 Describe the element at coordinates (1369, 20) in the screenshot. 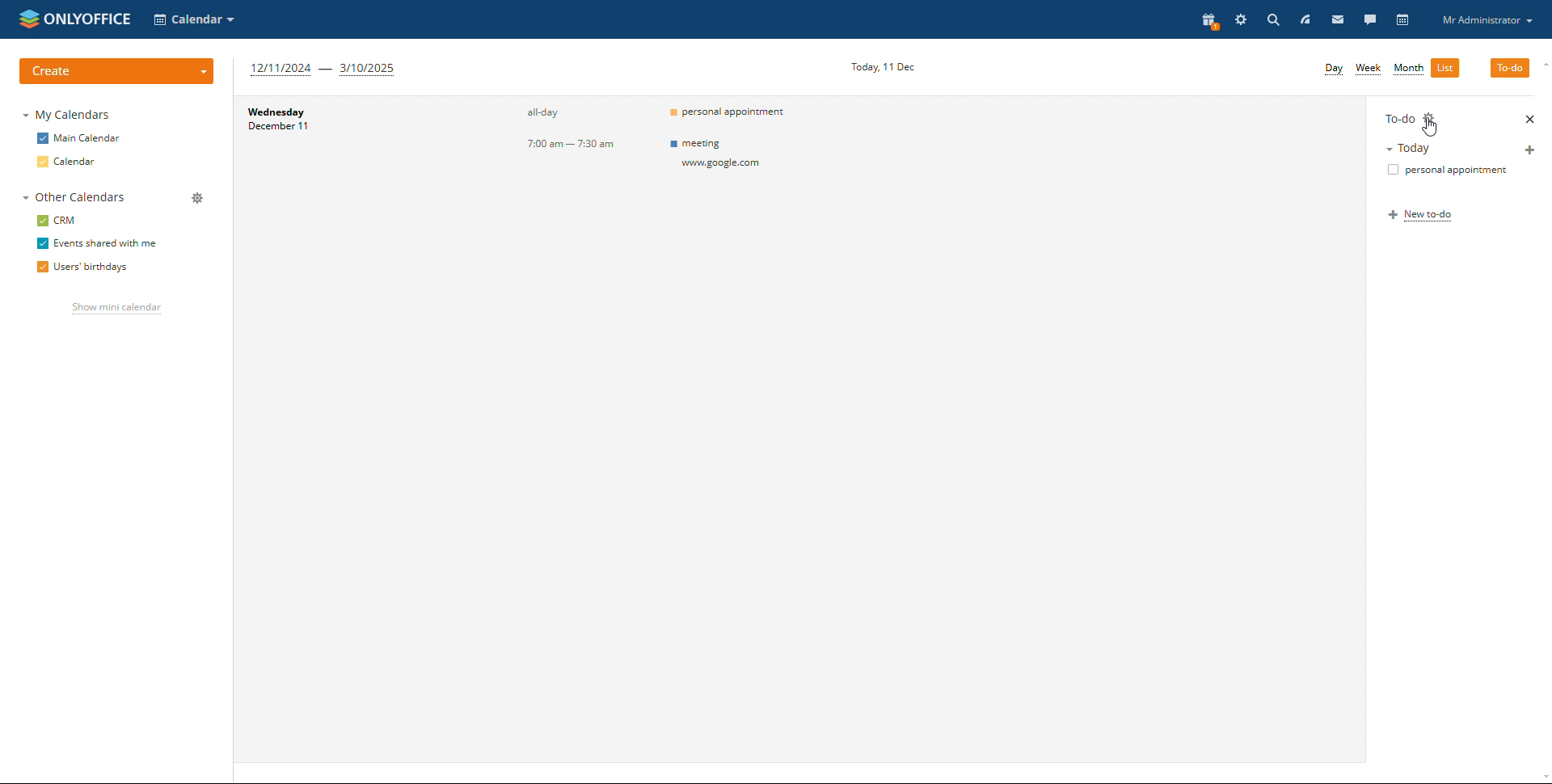

I see `talk` at that location.